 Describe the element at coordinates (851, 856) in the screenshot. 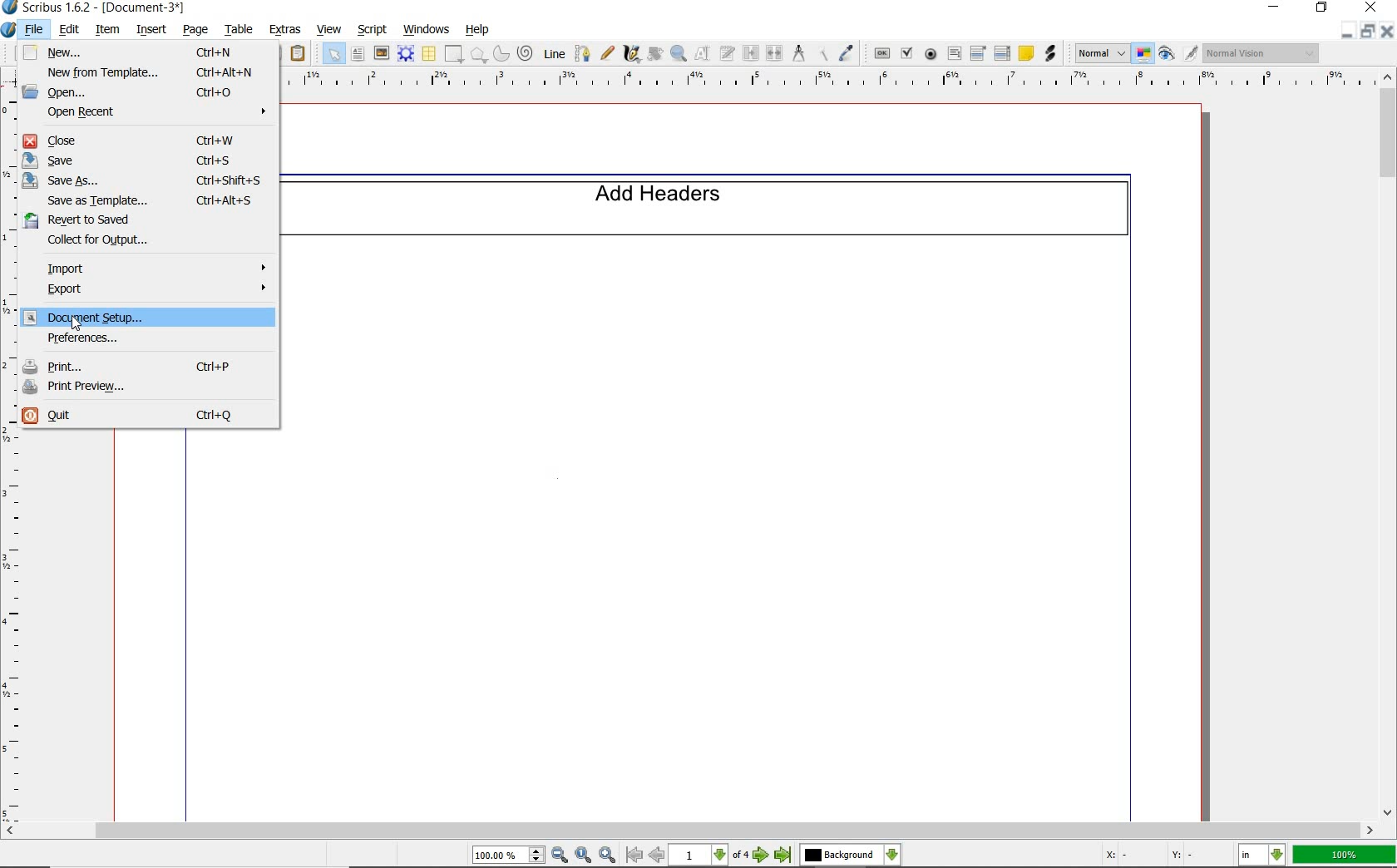

I see `select the current layer` at that location.